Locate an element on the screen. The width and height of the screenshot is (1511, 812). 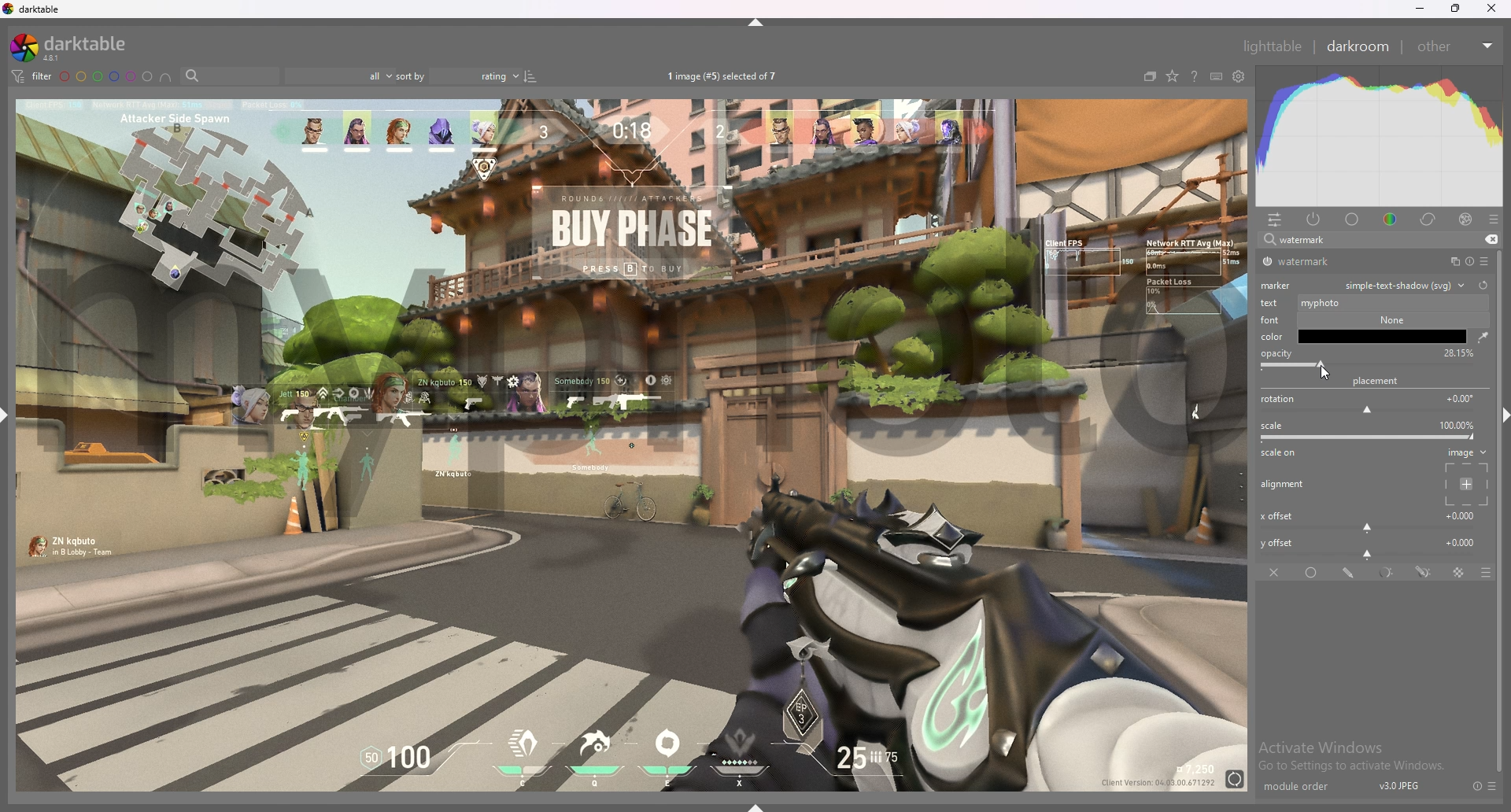
color is located at coordinates (1393, 218).